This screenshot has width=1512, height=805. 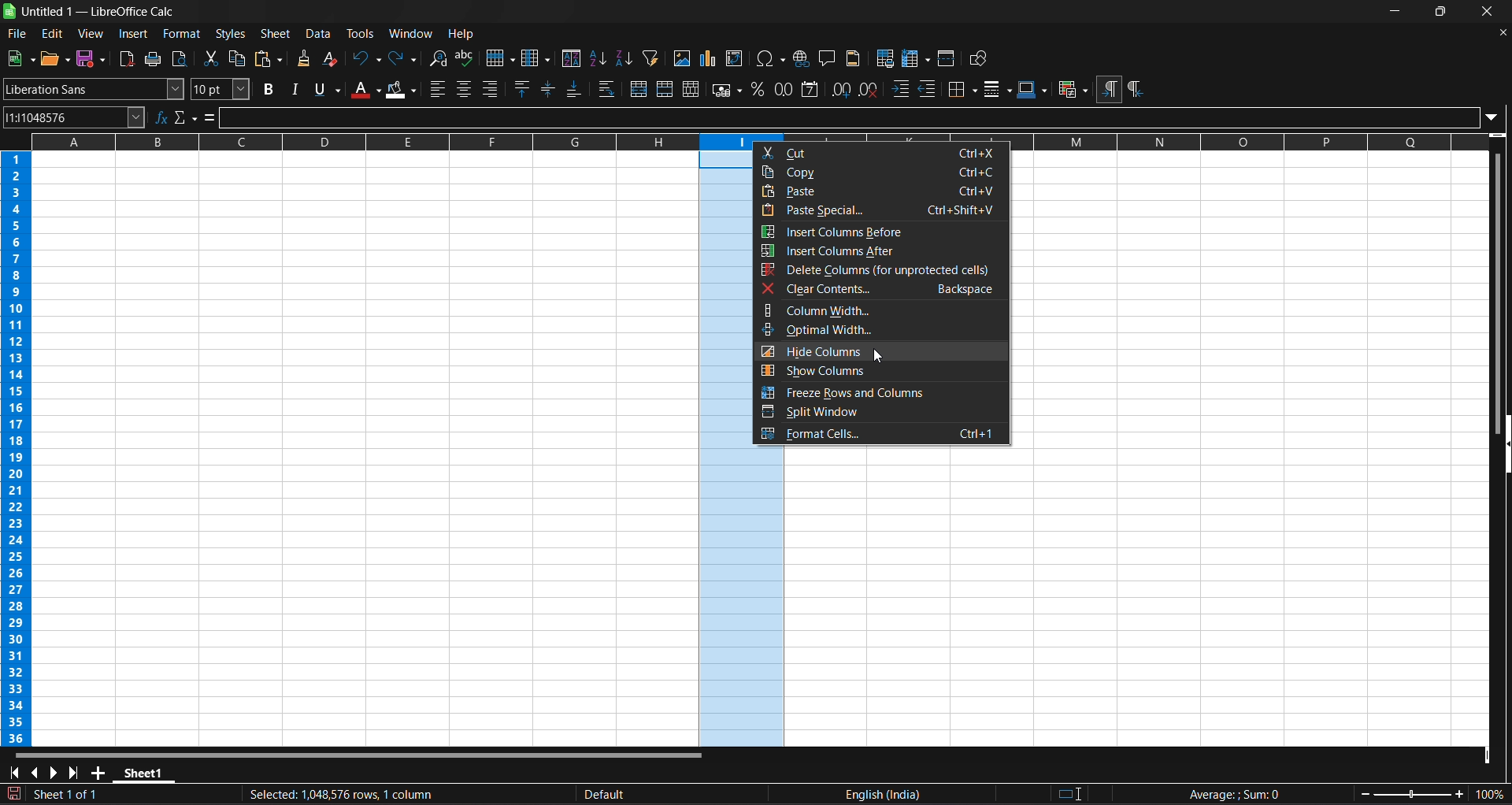 I want to click on split window, so click(x=881, y=412).